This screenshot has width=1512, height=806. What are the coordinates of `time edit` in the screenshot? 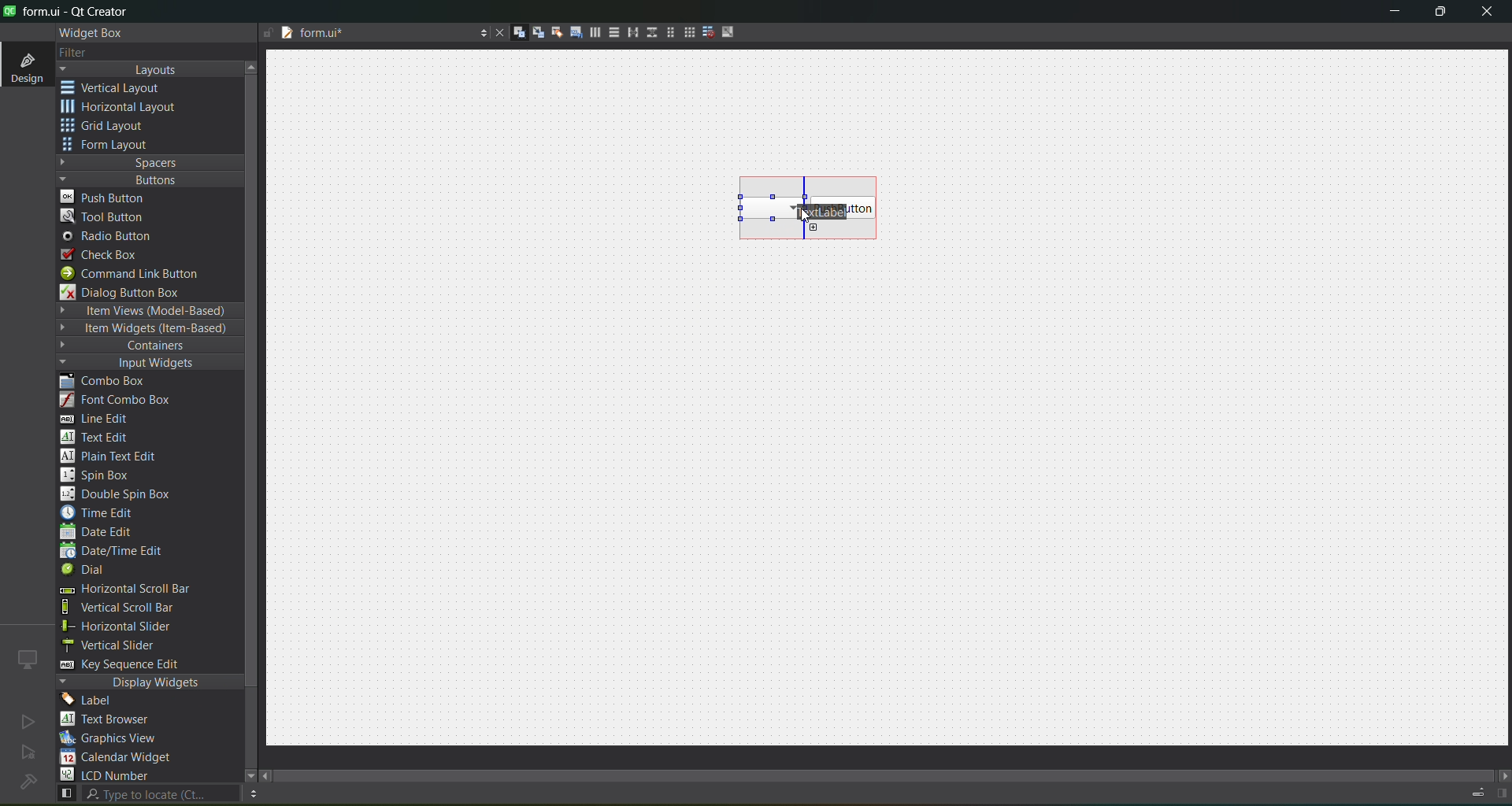 It's located at (102, 512).